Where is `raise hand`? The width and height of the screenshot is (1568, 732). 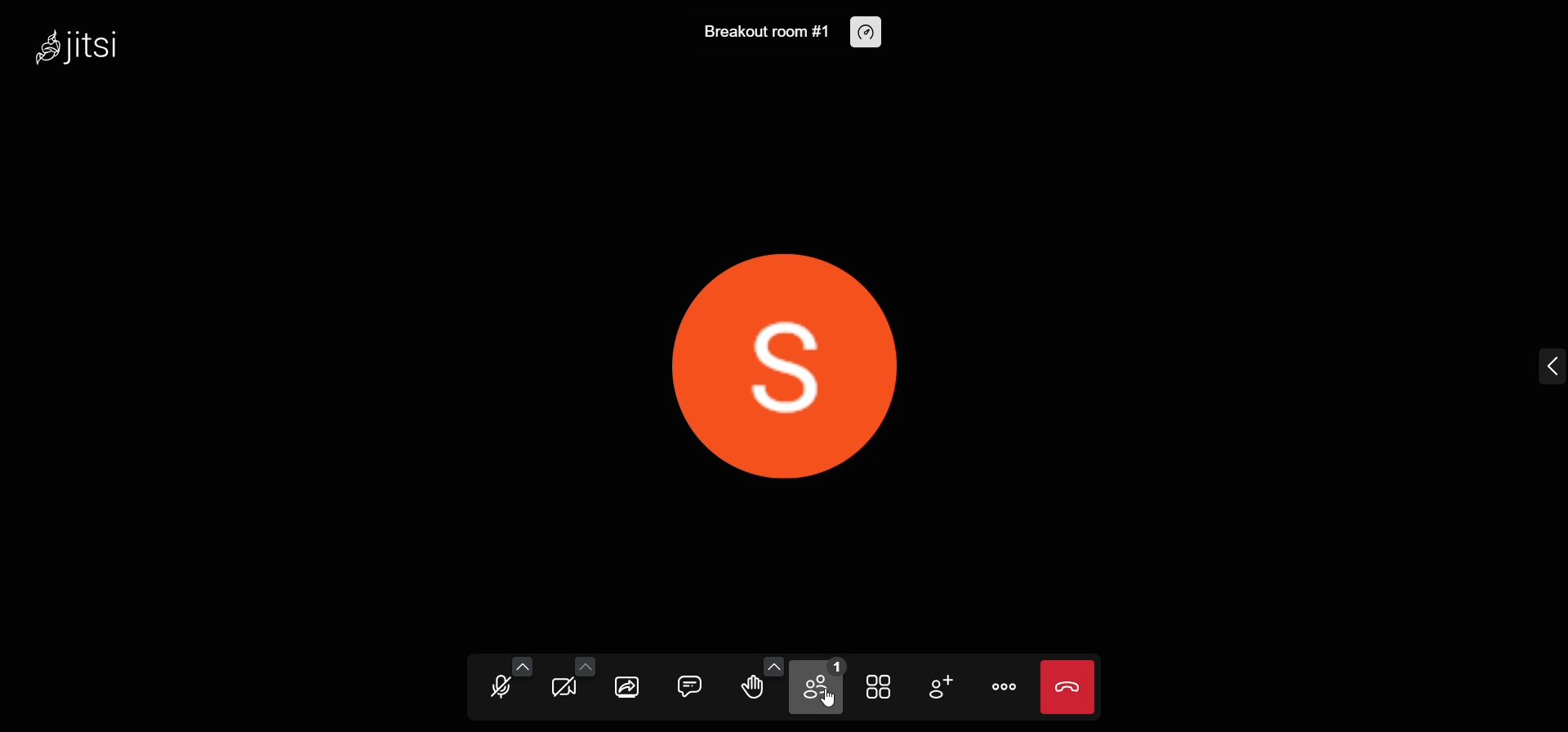 raise hand is located at coordinates (754, 690).